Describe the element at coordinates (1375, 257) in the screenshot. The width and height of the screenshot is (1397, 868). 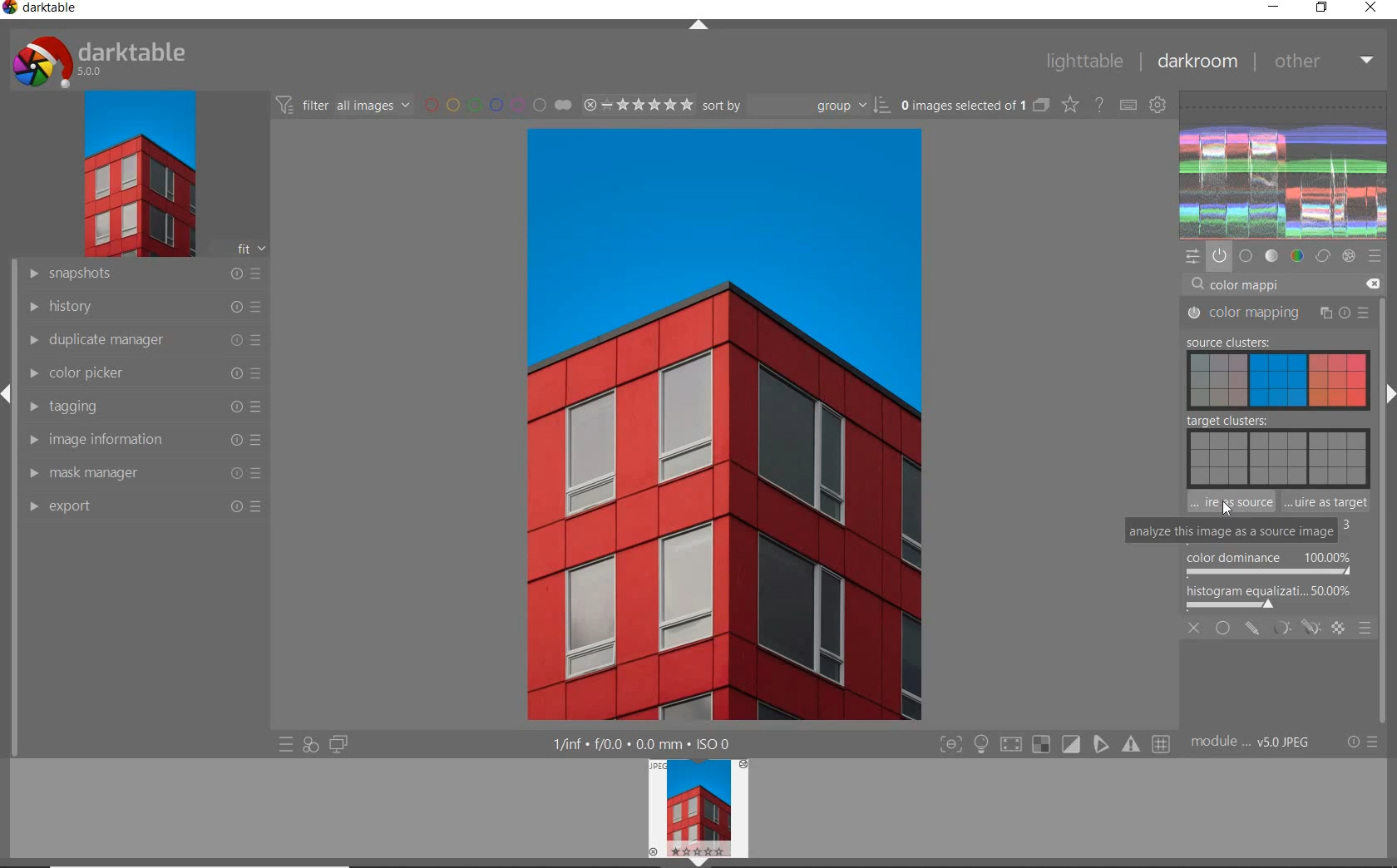
I see `preset` at that location.